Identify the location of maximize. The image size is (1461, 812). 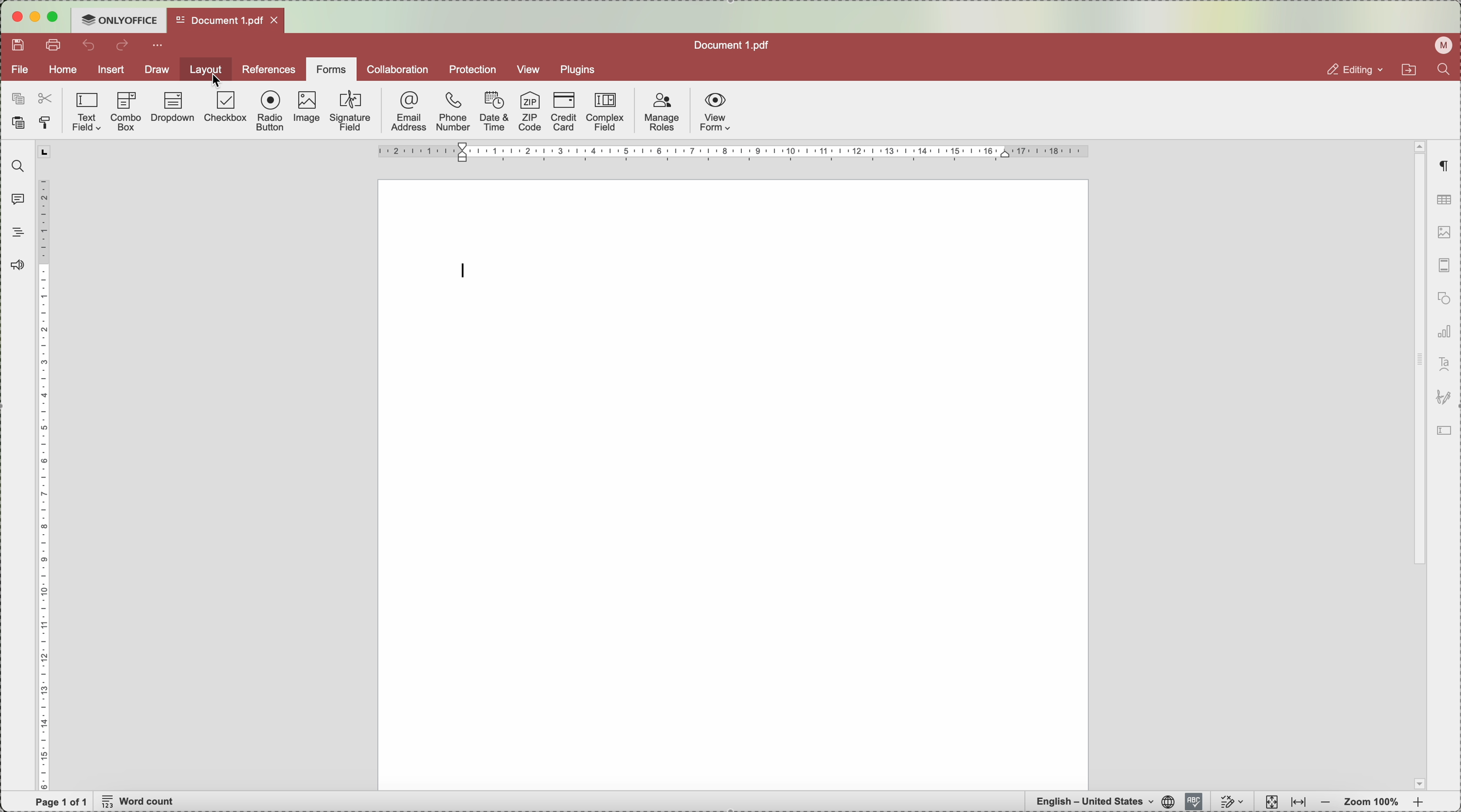
(57, 16).